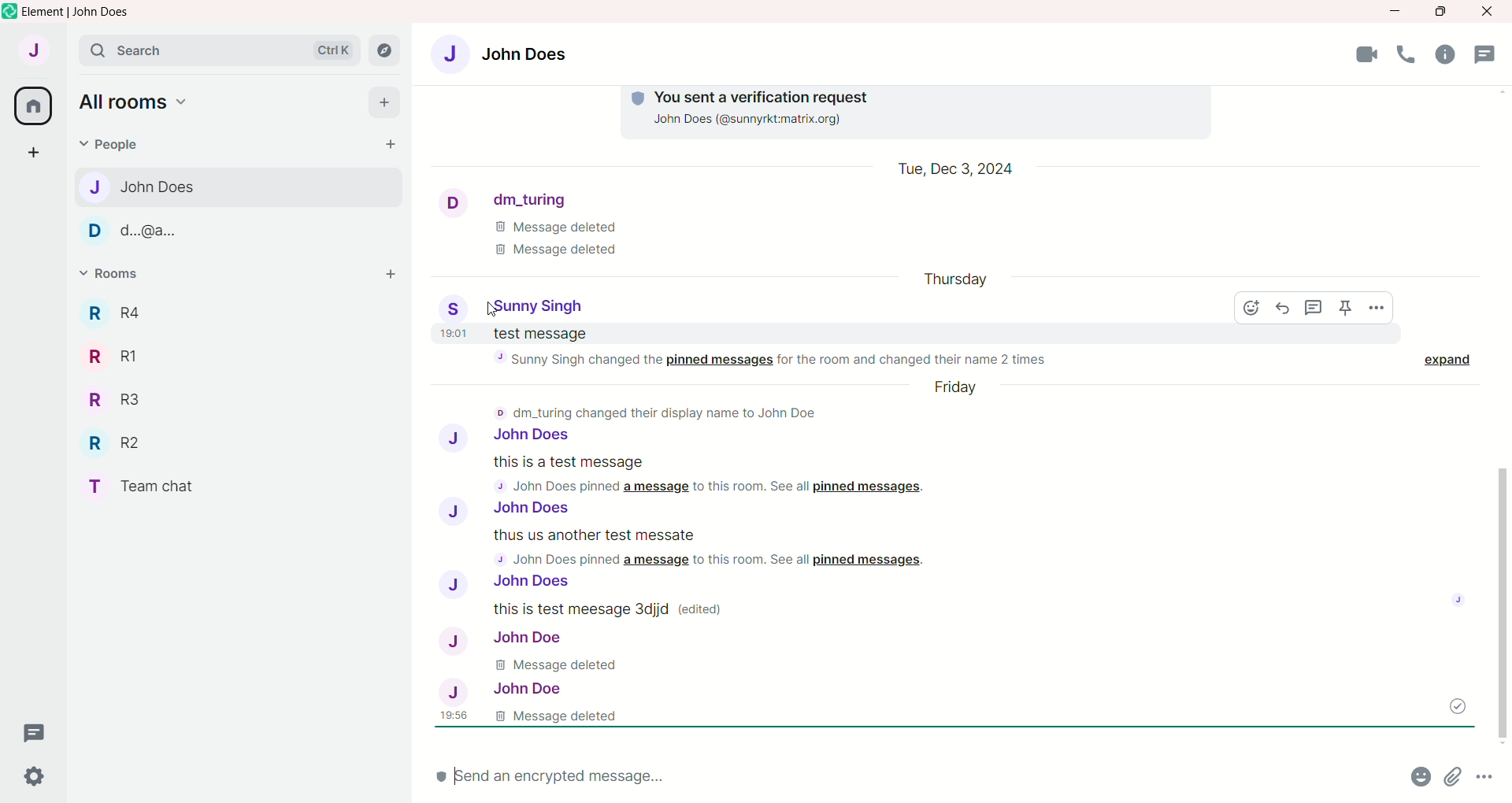 This screenshot has width=1512, height=803. I want to click on time, so click(453, 335).